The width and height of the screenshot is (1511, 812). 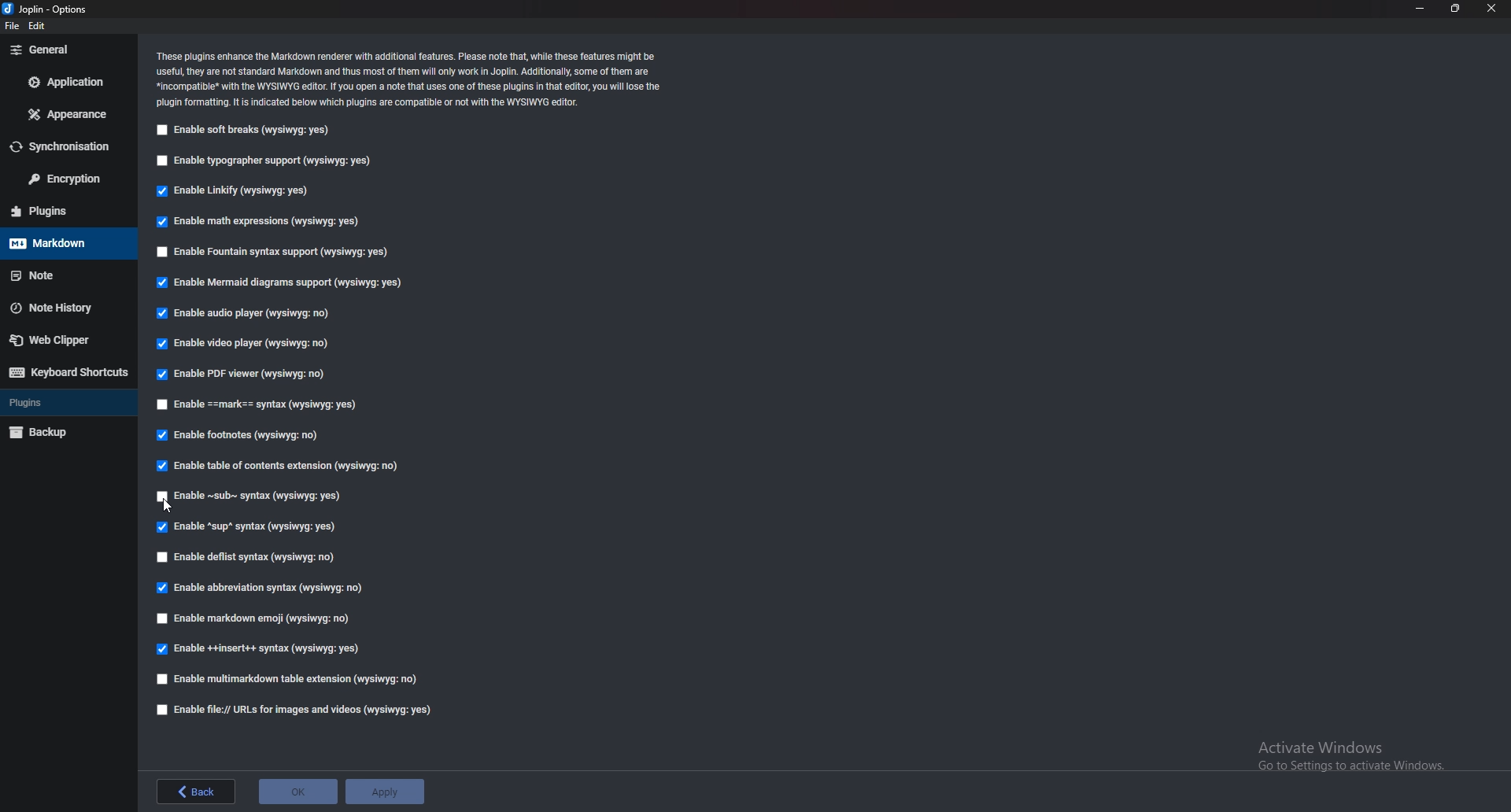 What do you see at coordinates (1456, 8) in the screenshot?
I see `resize` at bounding box center [1456, 8].